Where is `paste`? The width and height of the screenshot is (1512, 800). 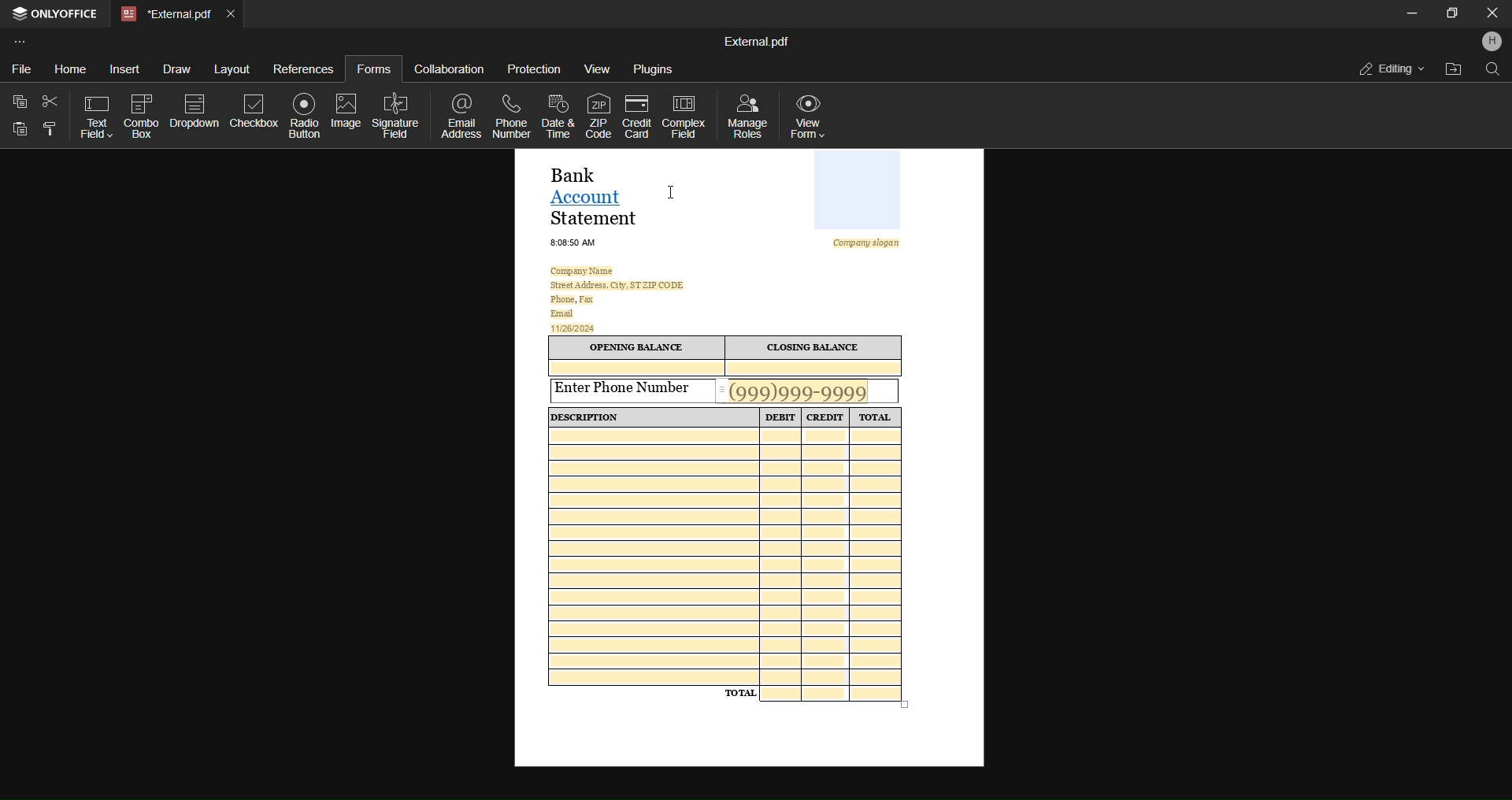 paste is located at coordinates (20, 133).